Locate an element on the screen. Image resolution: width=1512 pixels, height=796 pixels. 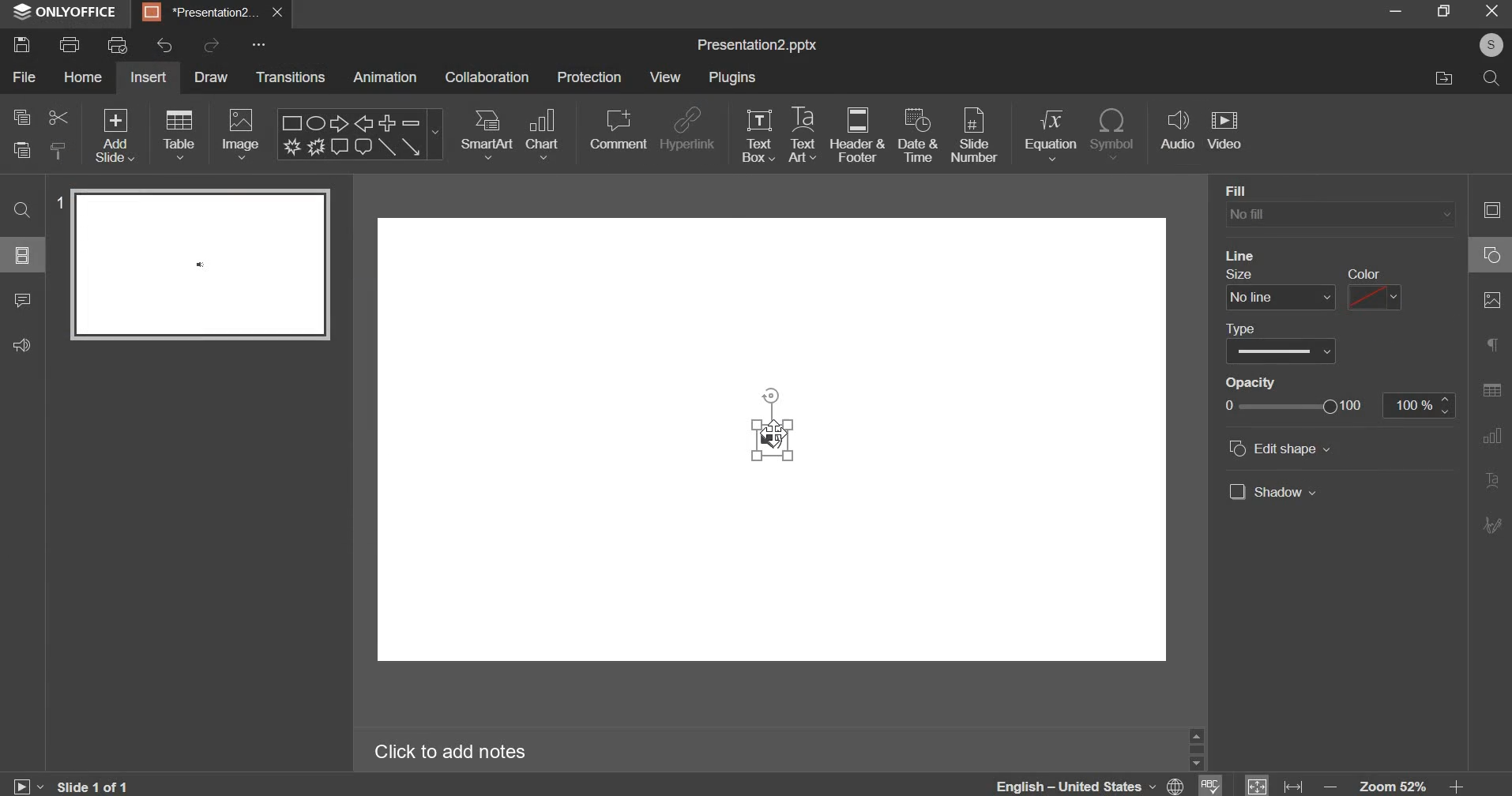
scrollbar is located at coordinates (1196, 749).